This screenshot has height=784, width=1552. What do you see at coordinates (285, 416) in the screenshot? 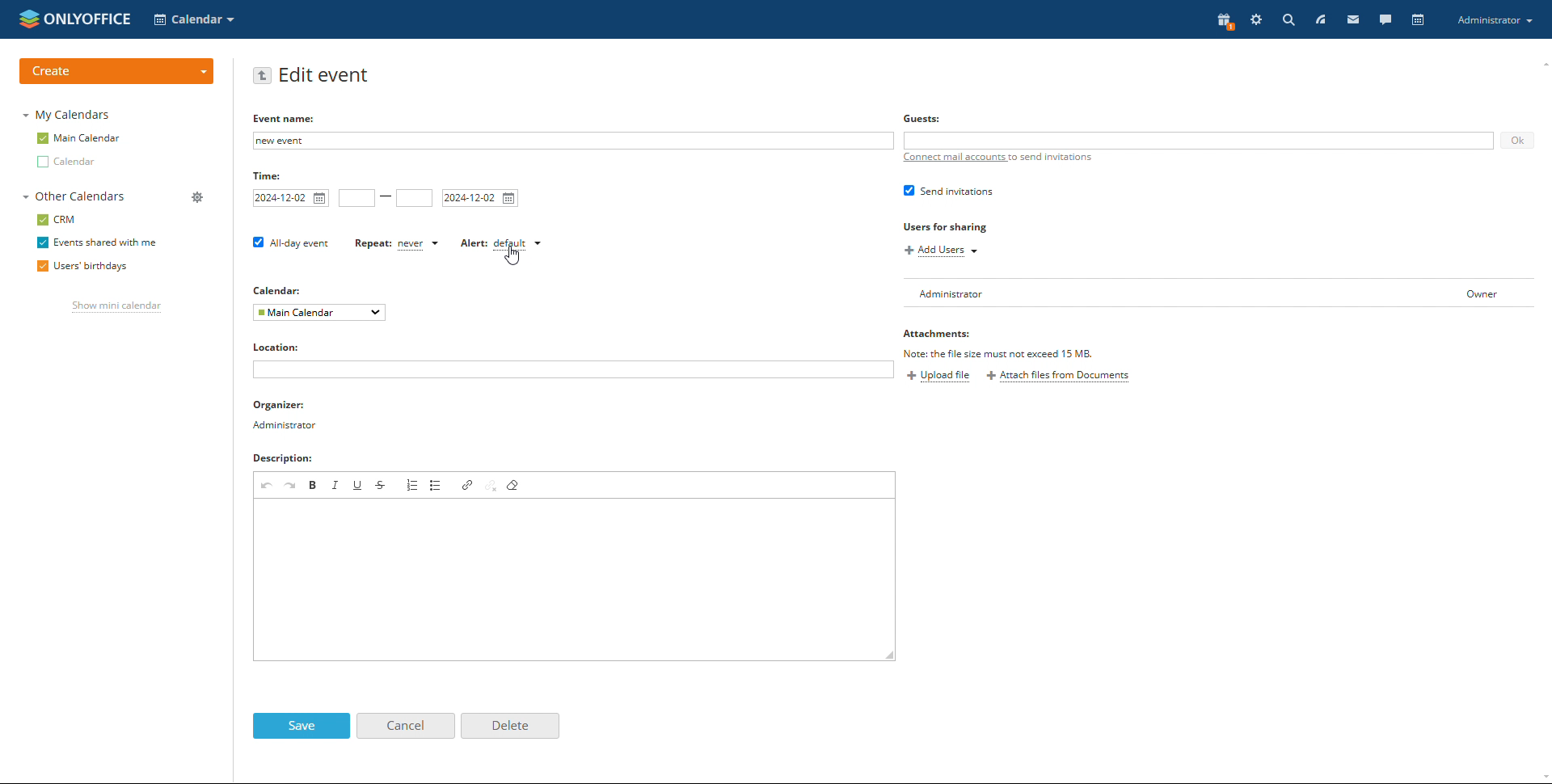
I see `organizer detail` at bounding box center [285, 416].